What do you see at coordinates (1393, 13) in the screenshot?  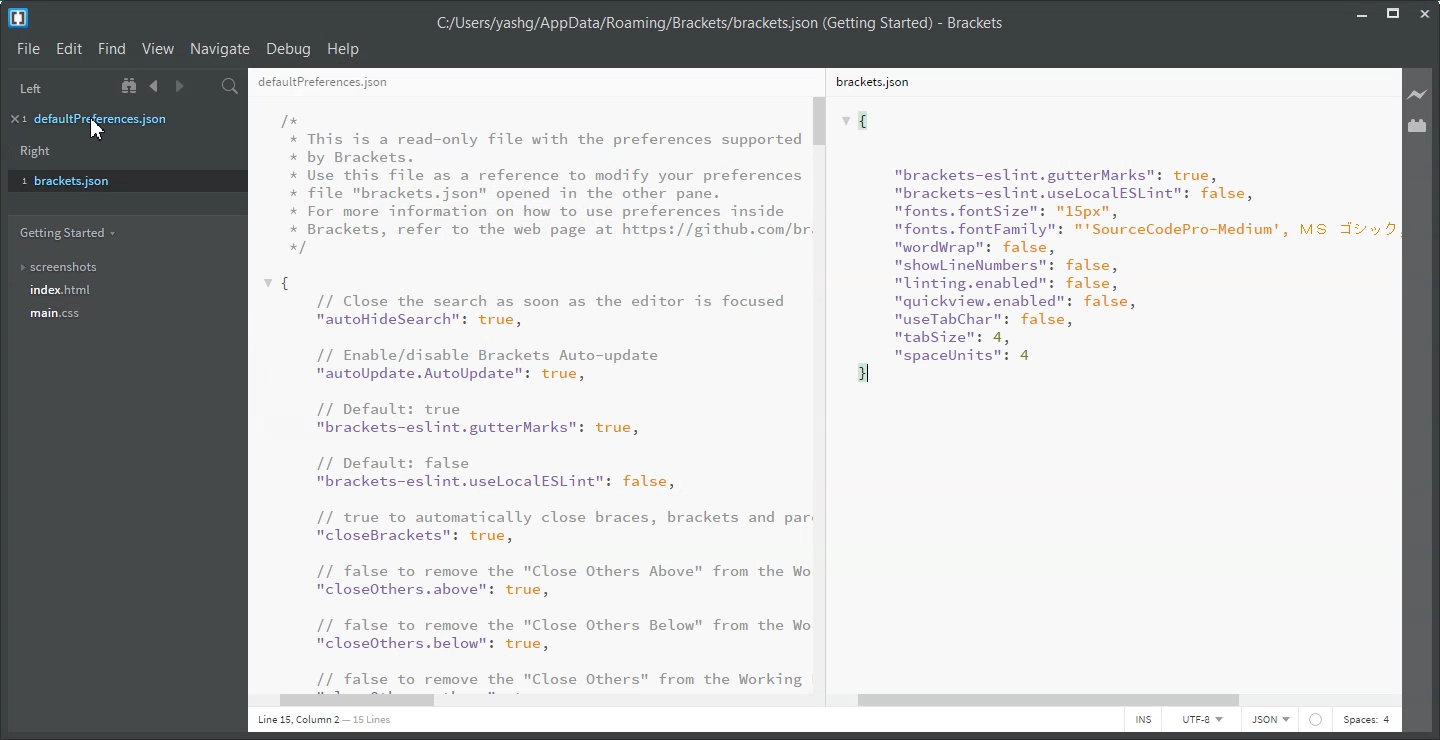 I see `Maximize` at bounding box center [1393, 13].